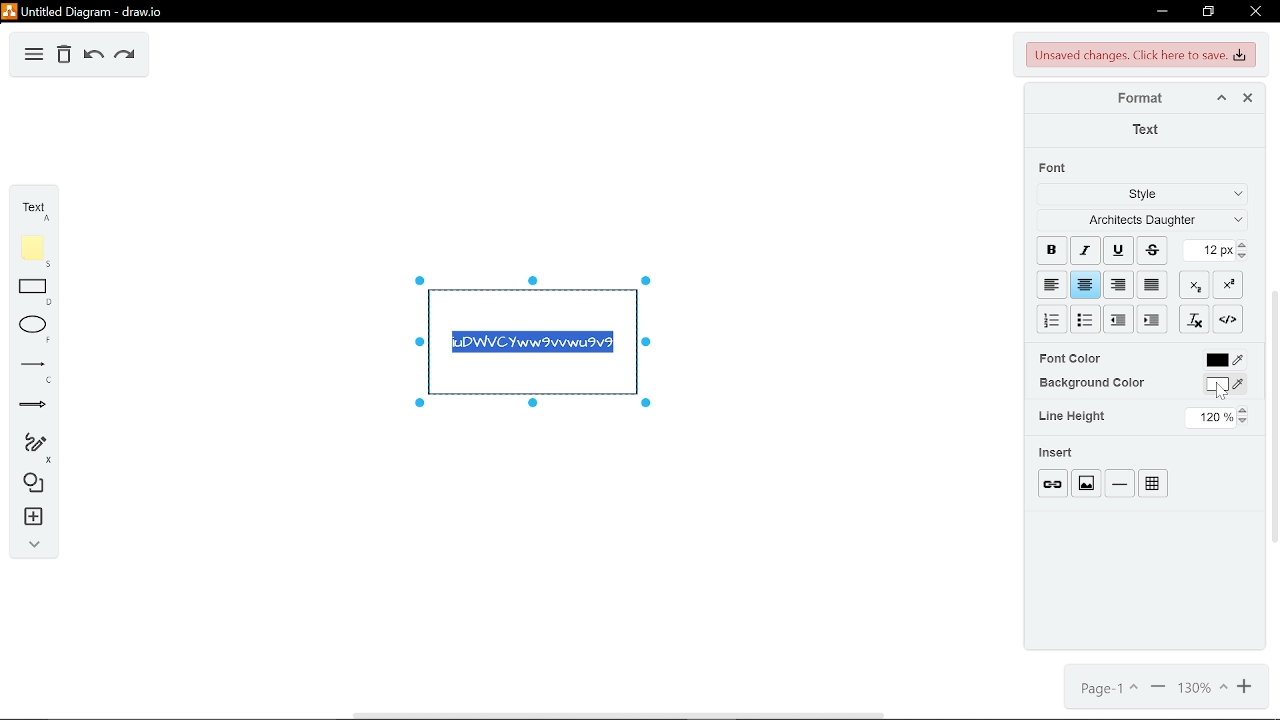 This screenshot has width=1280, height=720. What do you see at coordinates (29, 291) in the screenshot?
I see `rectangle` at bounding box center [29, 291].